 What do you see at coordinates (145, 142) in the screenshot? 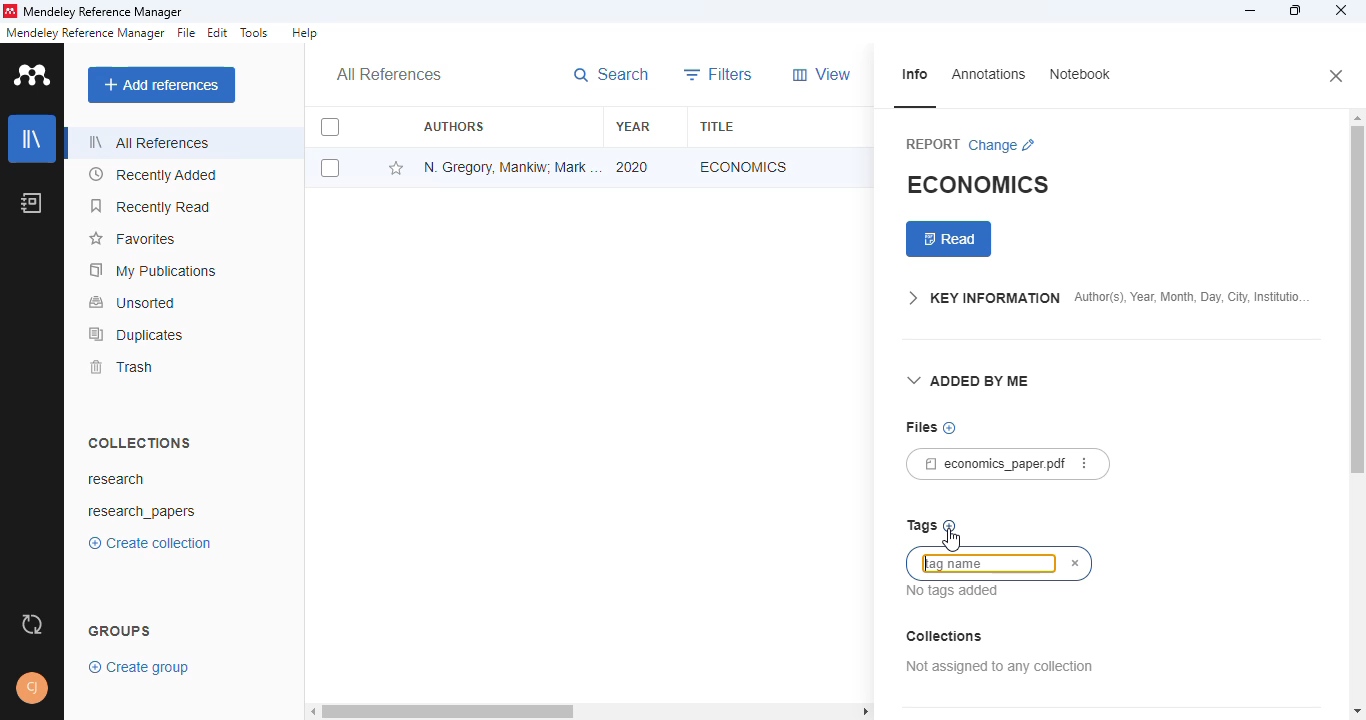
I see `all references` at bounding box center [145, 142].